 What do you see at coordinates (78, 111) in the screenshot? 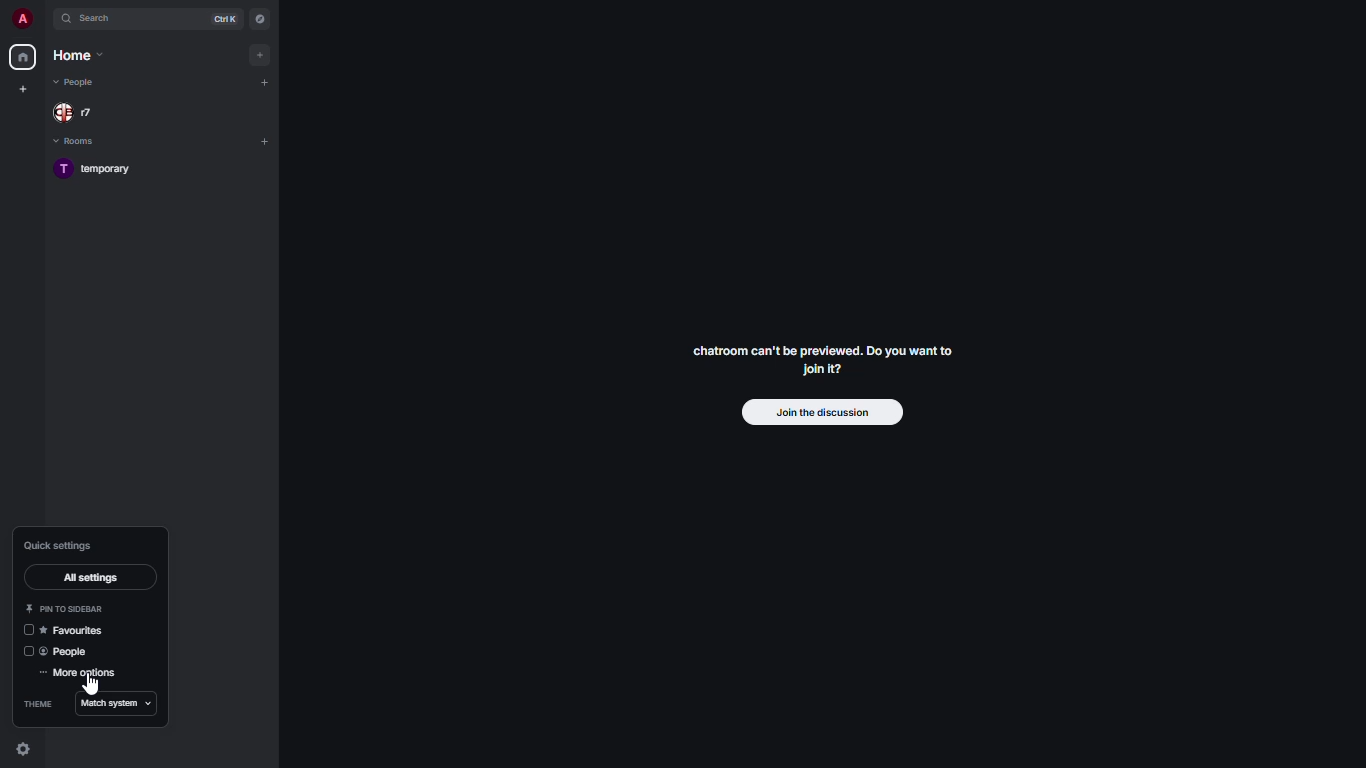
I see `people` at bounding box center [78, 111].